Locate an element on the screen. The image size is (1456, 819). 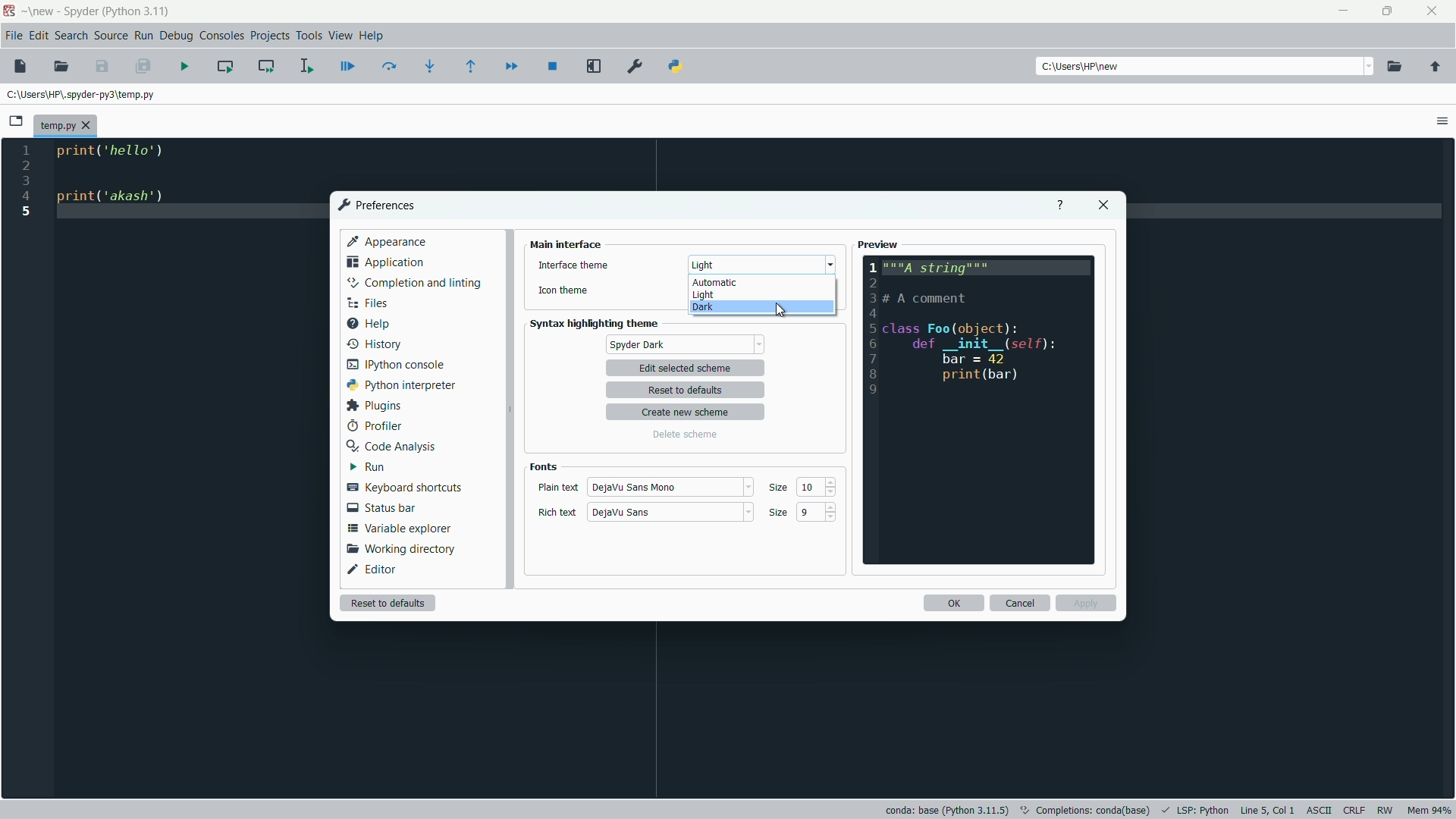
debug menu is located at coordinates (176, 35).